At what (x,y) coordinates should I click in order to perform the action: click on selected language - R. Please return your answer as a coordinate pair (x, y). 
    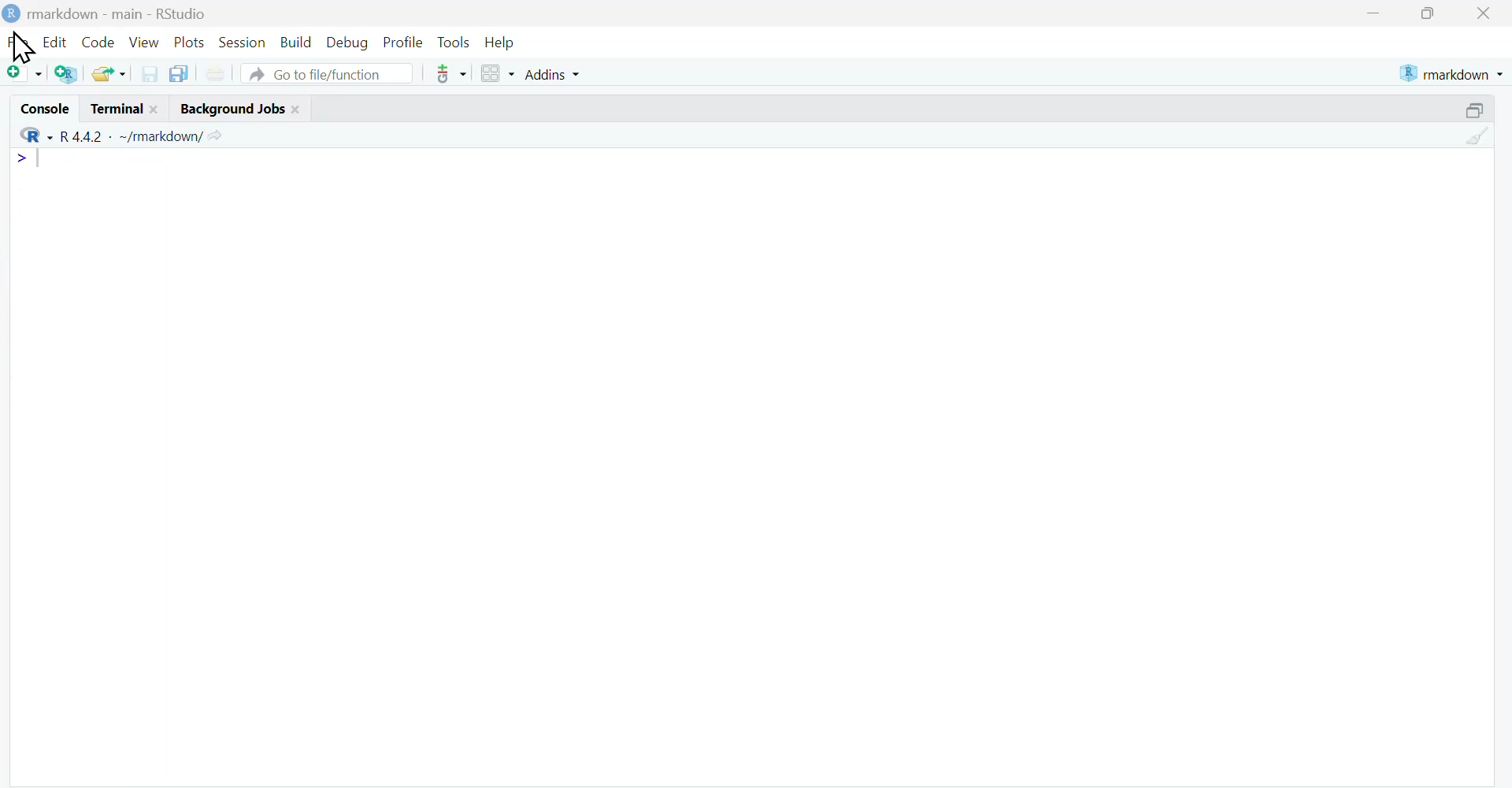
    Looking at the image, I should click on (31, 136).